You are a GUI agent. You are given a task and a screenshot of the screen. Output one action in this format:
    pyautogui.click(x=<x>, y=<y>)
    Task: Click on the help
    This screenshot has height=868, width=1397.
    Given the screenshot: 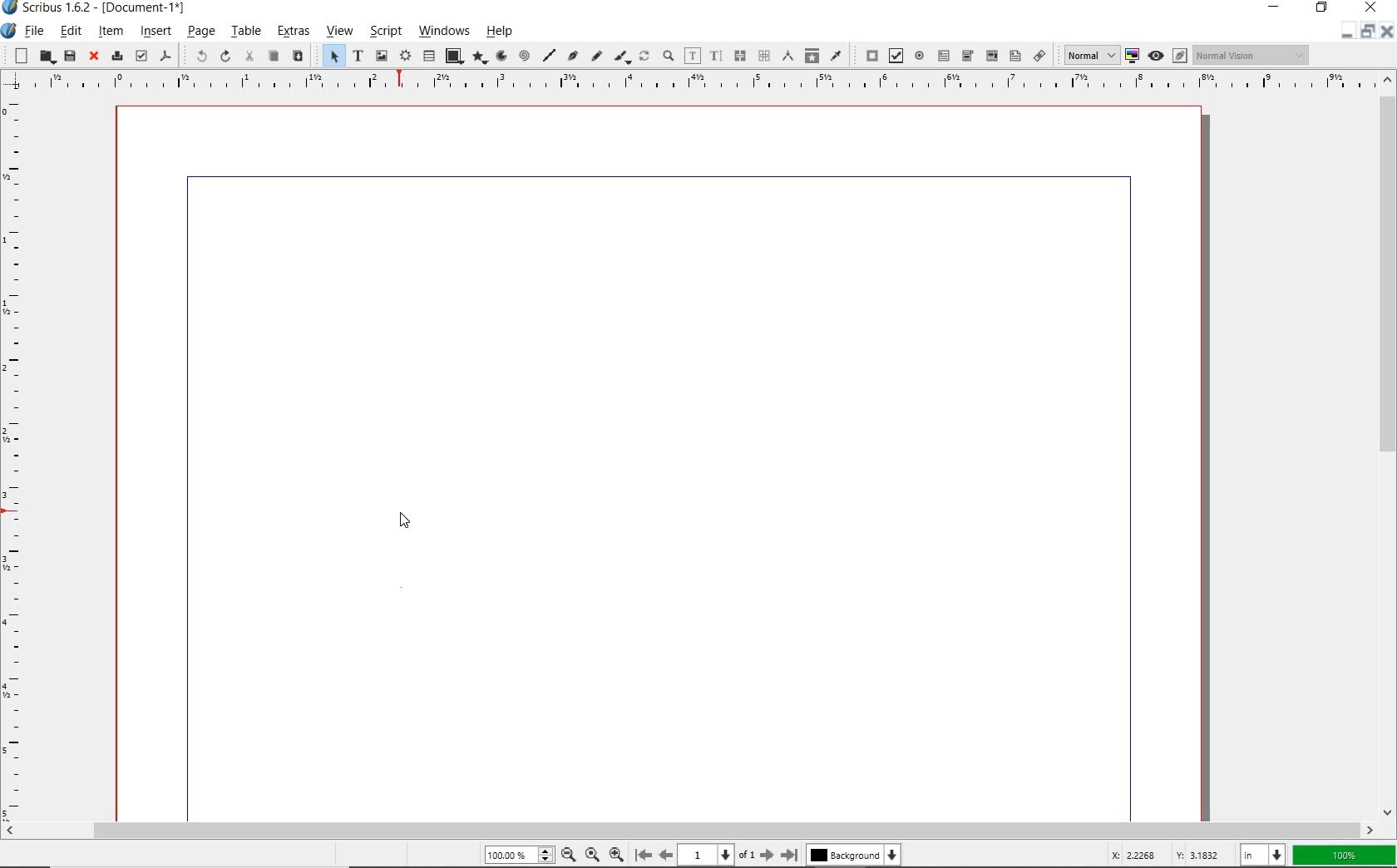 What is the action you would take?
    pyautogui.click(x=503, y=31)
    